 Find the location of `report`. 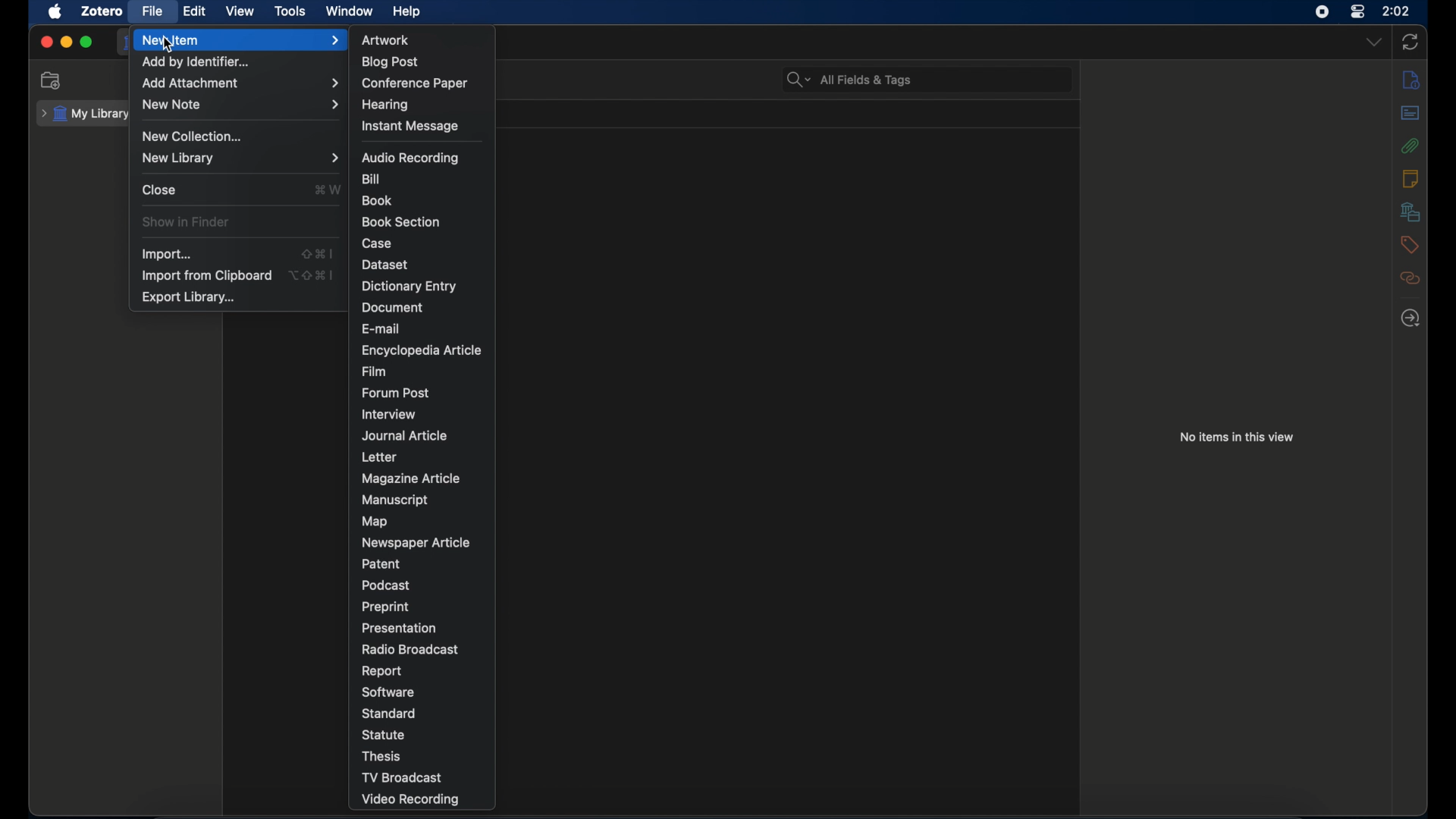

report is located at coordinates (381, 671).